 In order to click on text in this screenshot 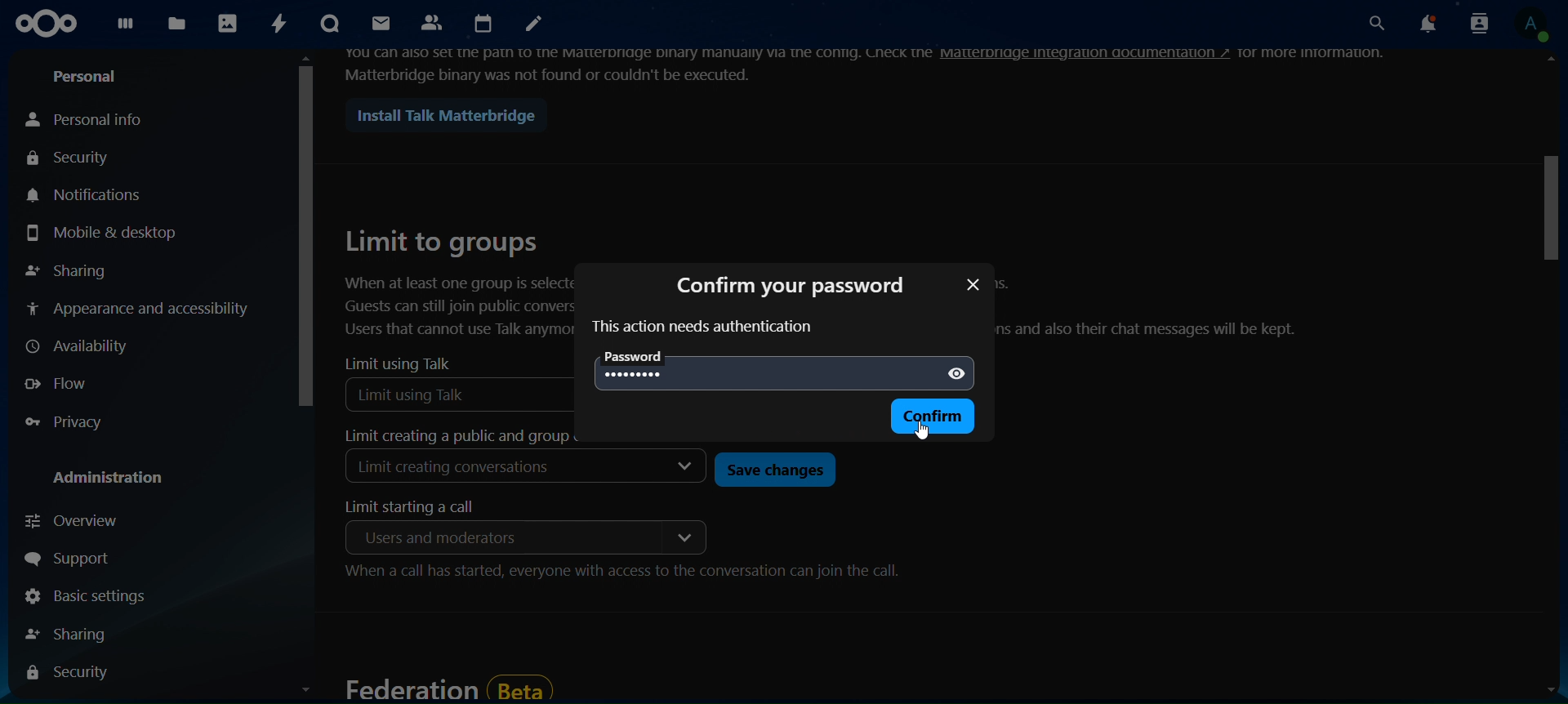, I will do `click(1320, 53)`.